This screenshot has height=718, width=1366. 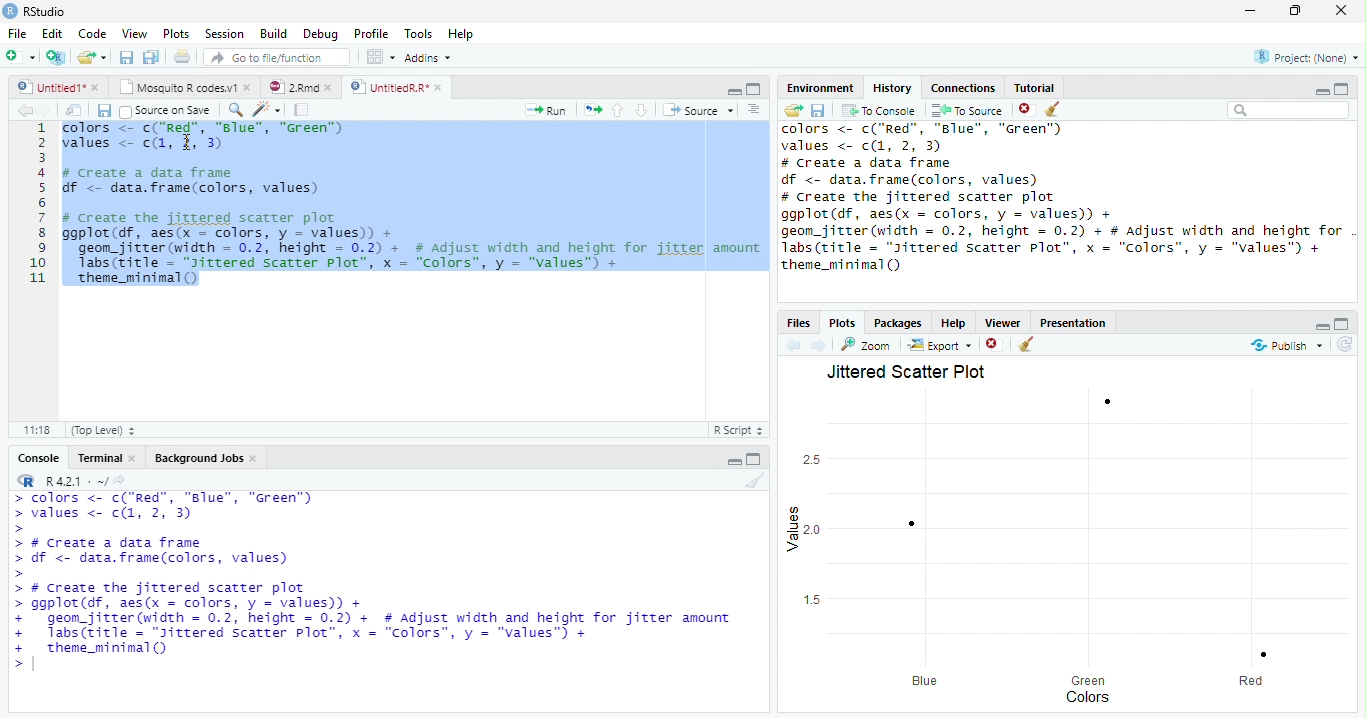 I want to click on Maximize, so click(x=754, y=458).